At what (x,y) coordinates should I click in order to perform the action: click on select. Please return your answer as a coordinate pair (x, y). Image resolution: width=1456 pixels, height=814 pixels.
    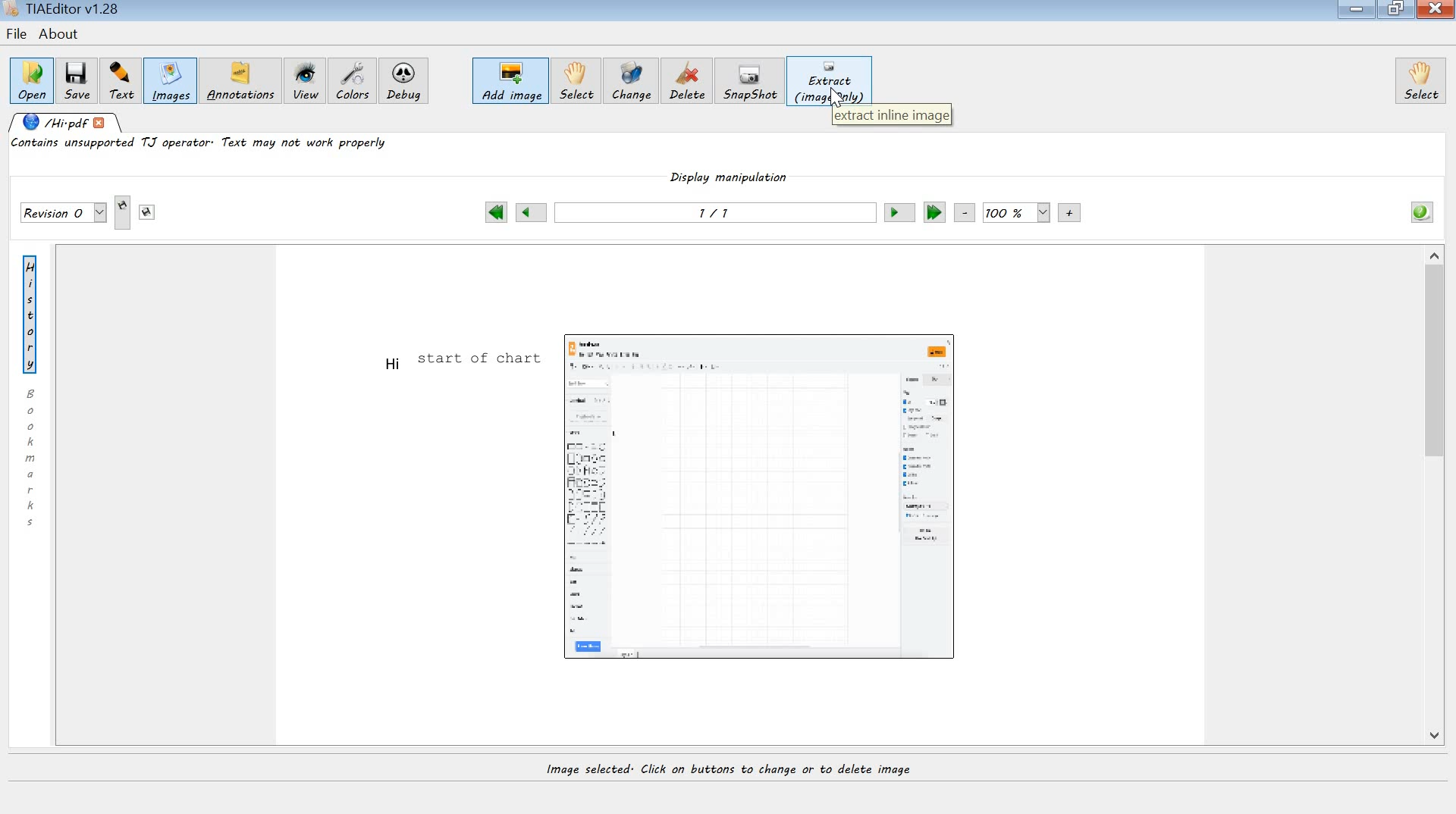
    Looking at the image, I should click on (576, 82).